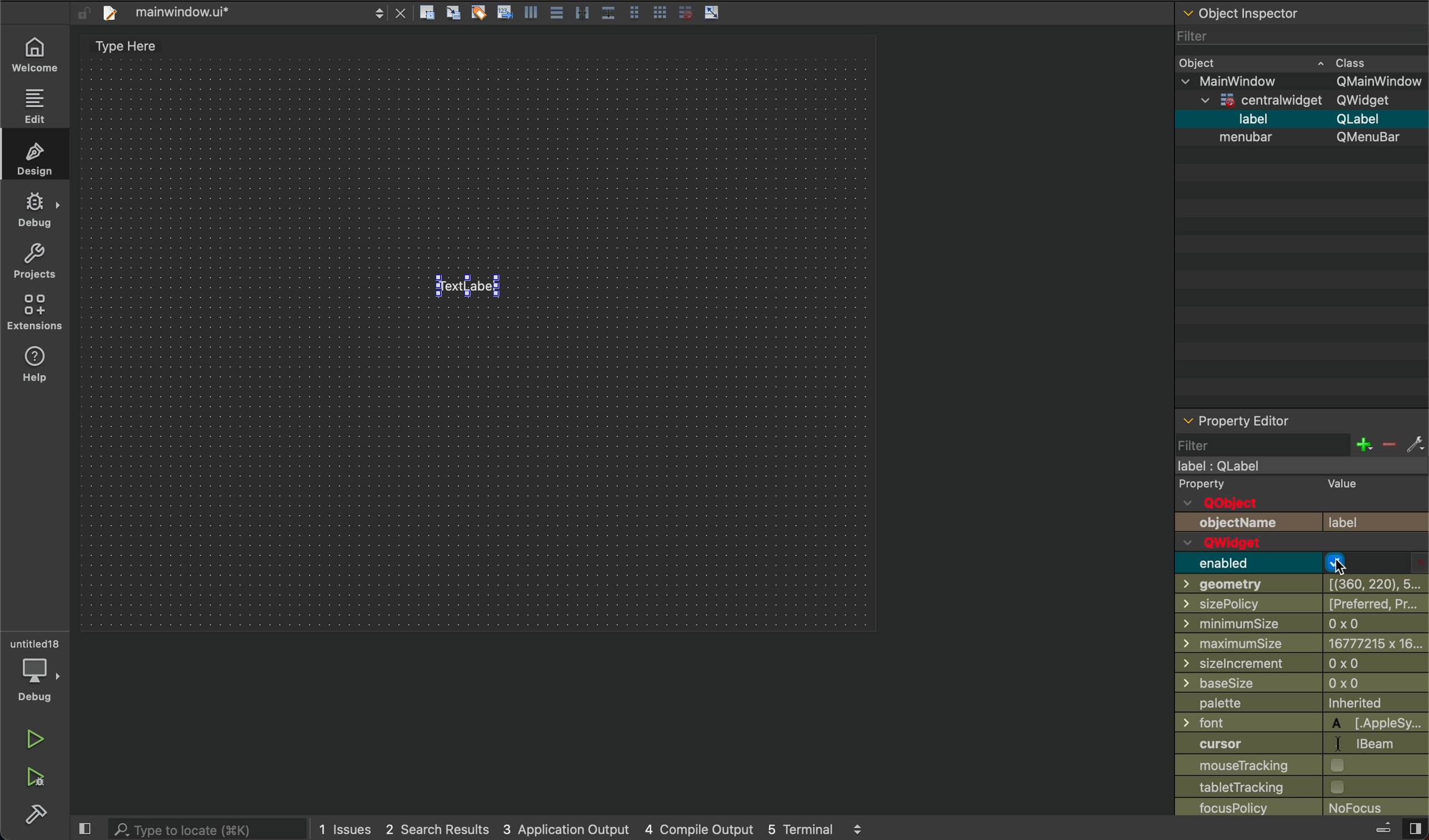  Describe the element at coordinates (1211, 722) in the screenshot. I see `font` at that location.